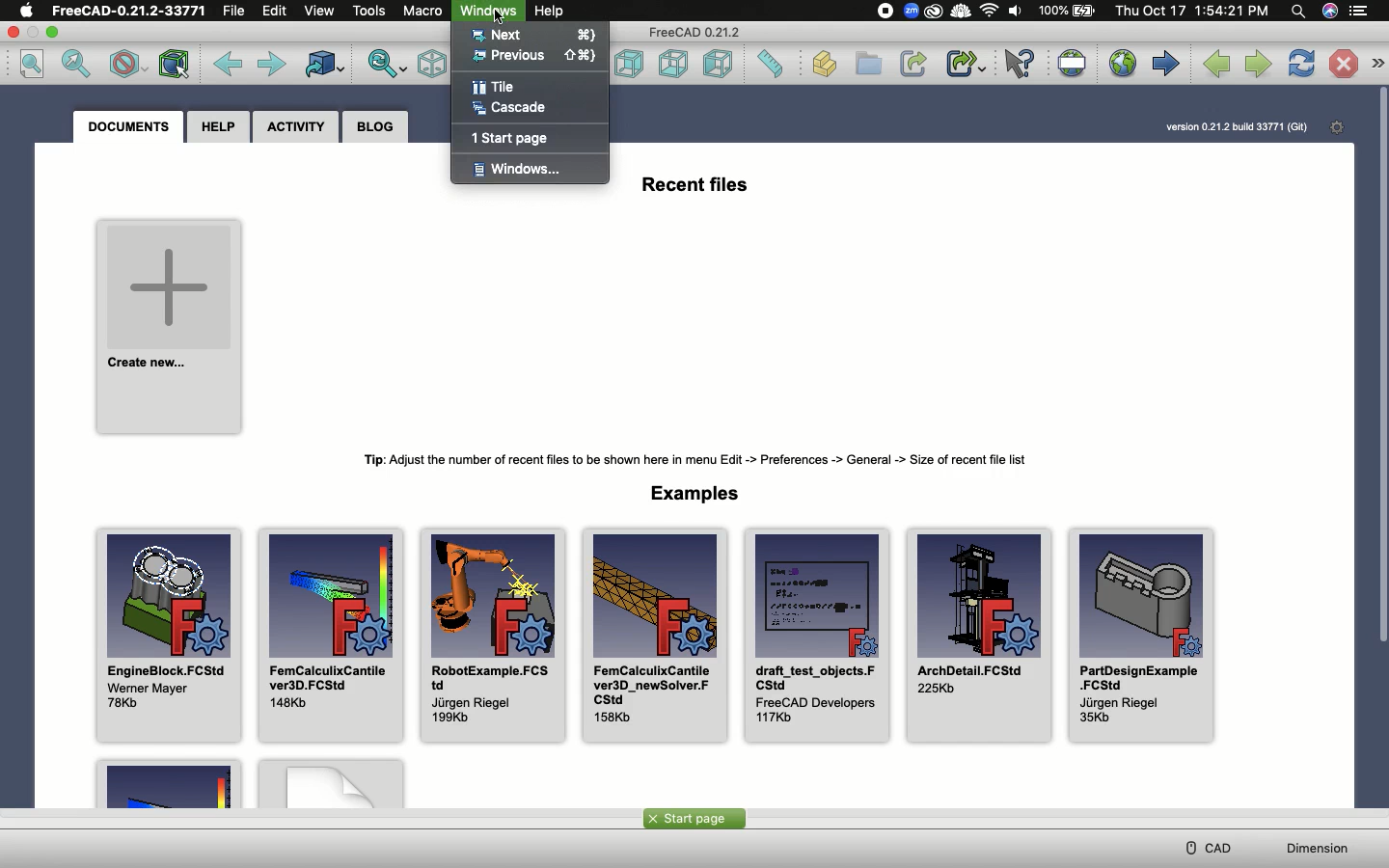 Image resolution: width=1389 pixels, height=868 pixels. Describe the element at coordinates (1145, 636) in the screenshot. I see `PartDesignExample.FCStd` at that location.